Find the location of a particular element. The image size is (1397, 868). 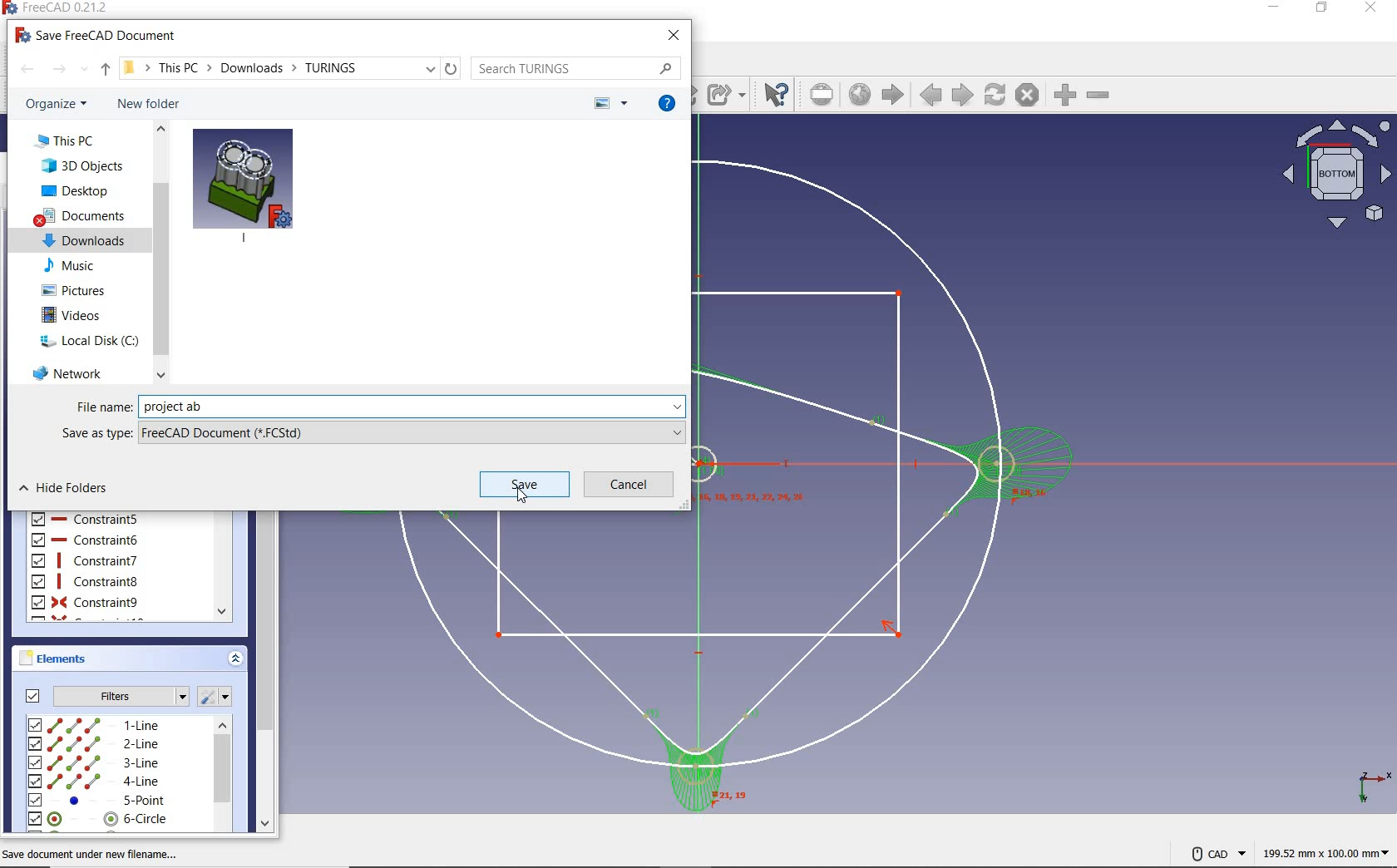

4-line is located at coordinates (94, 782).